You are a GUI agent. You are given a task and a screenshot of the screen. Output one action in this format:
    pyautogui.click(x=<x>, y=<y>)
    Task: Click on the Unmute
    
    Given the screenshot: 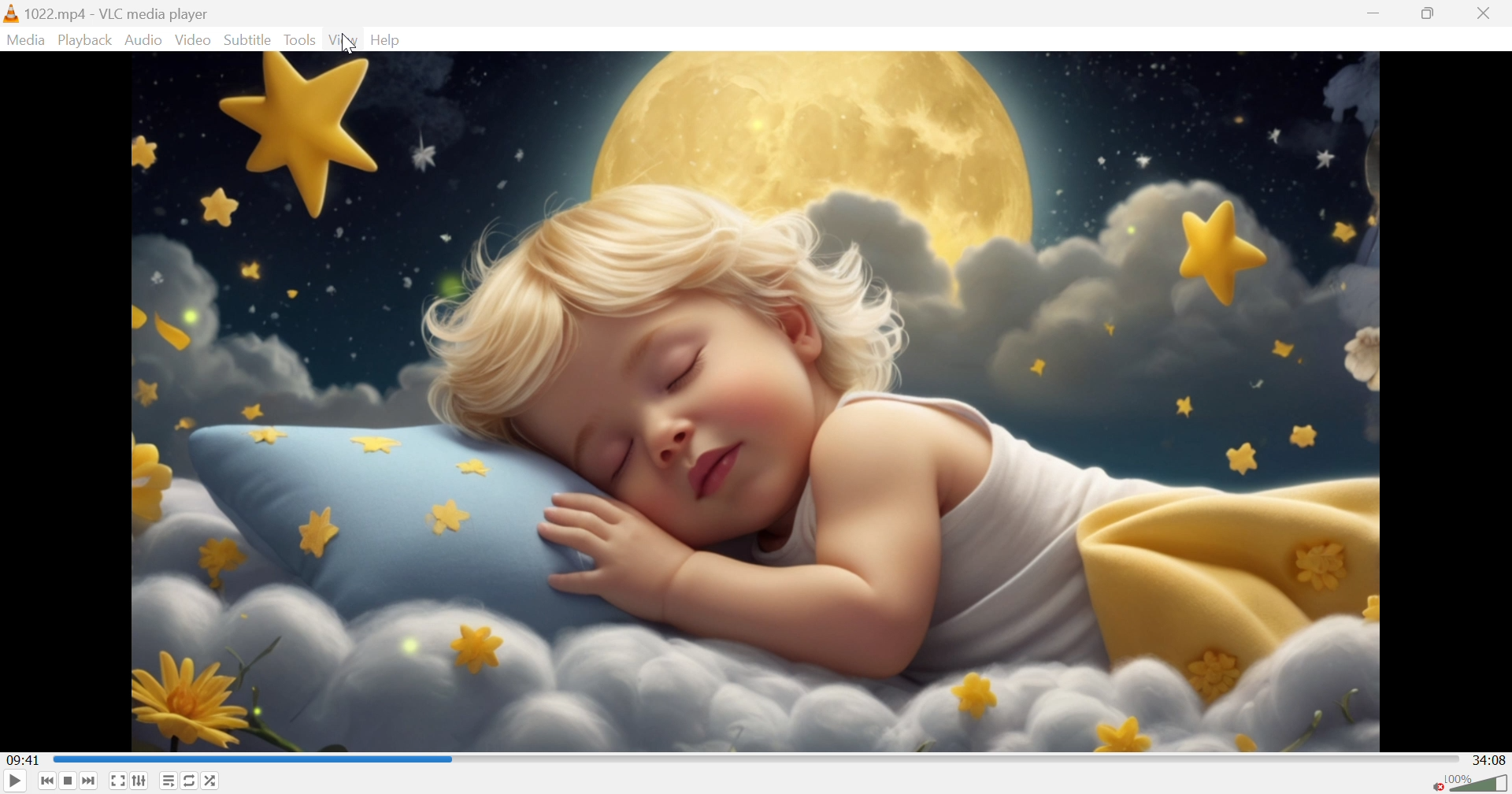 What is the action you would take?
    pyautogui.click(x=1436, y=783)
    